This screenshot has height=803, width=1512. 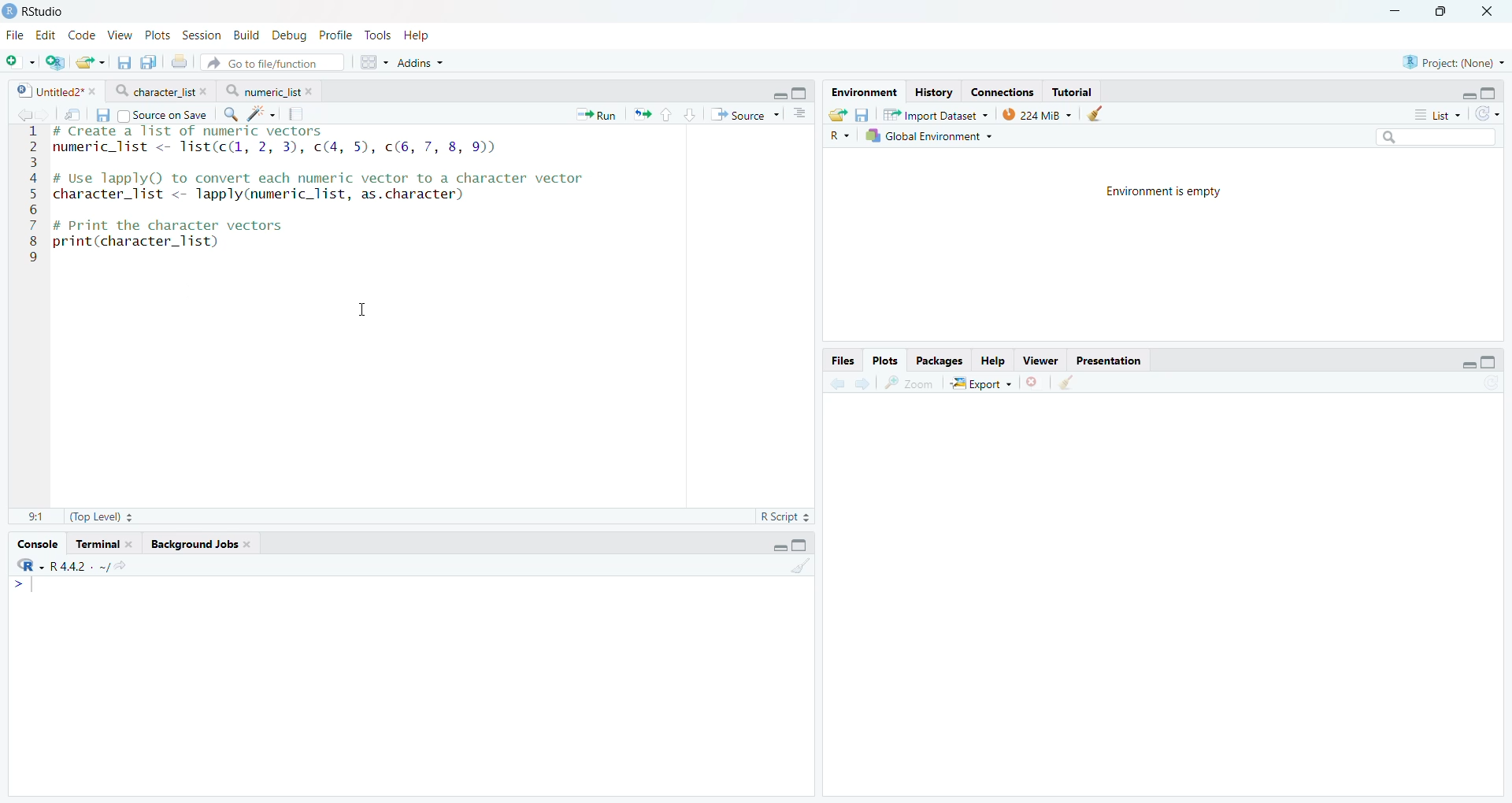 What do you see at coordinates (863, 113) in the screenshot?
I see `Save` at bounding box center [863, 113].